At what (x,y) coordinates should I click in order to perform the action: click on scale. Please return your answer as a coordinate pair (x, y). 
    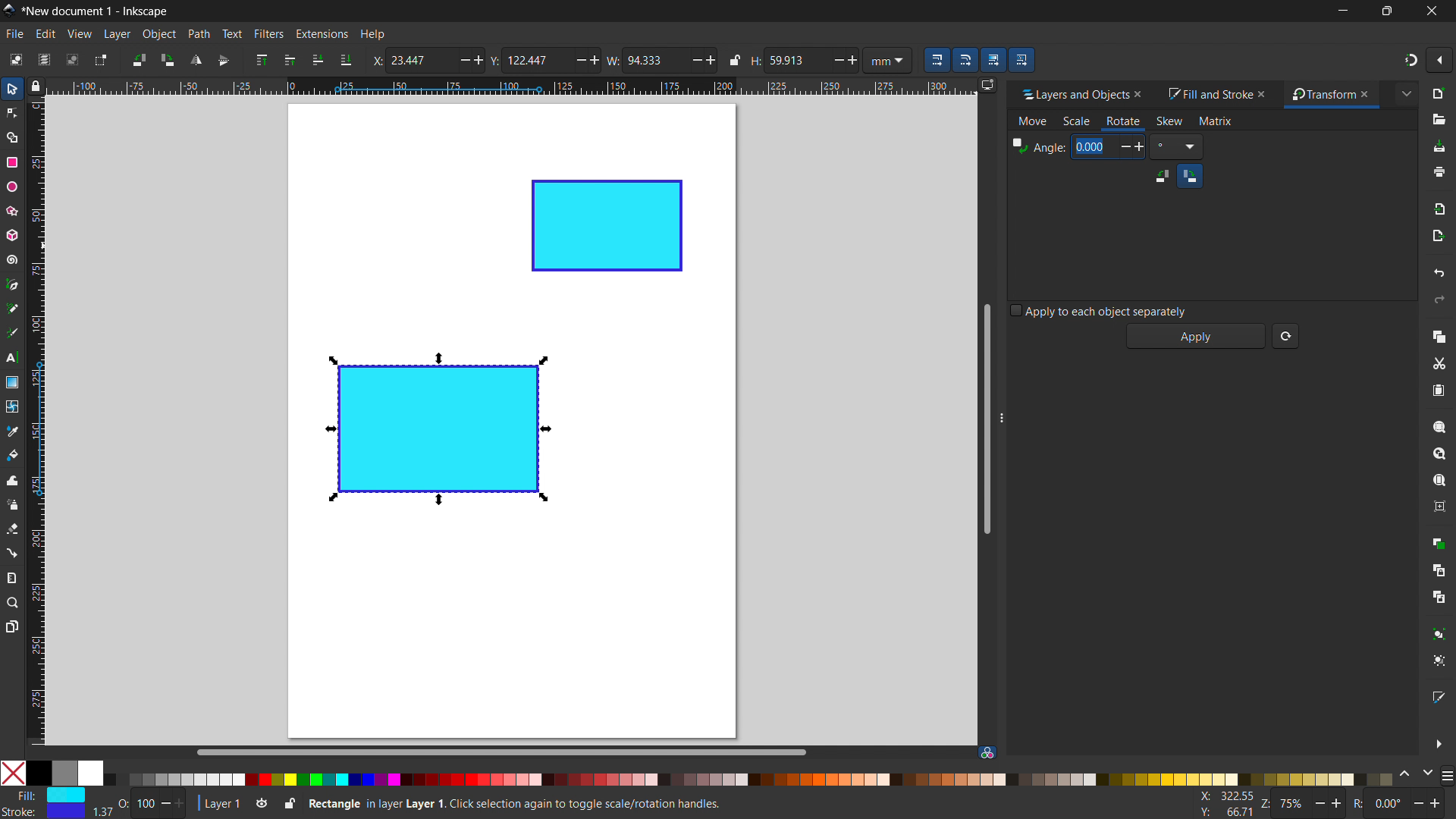
    Looking at the image, I should click on (1076, 122).